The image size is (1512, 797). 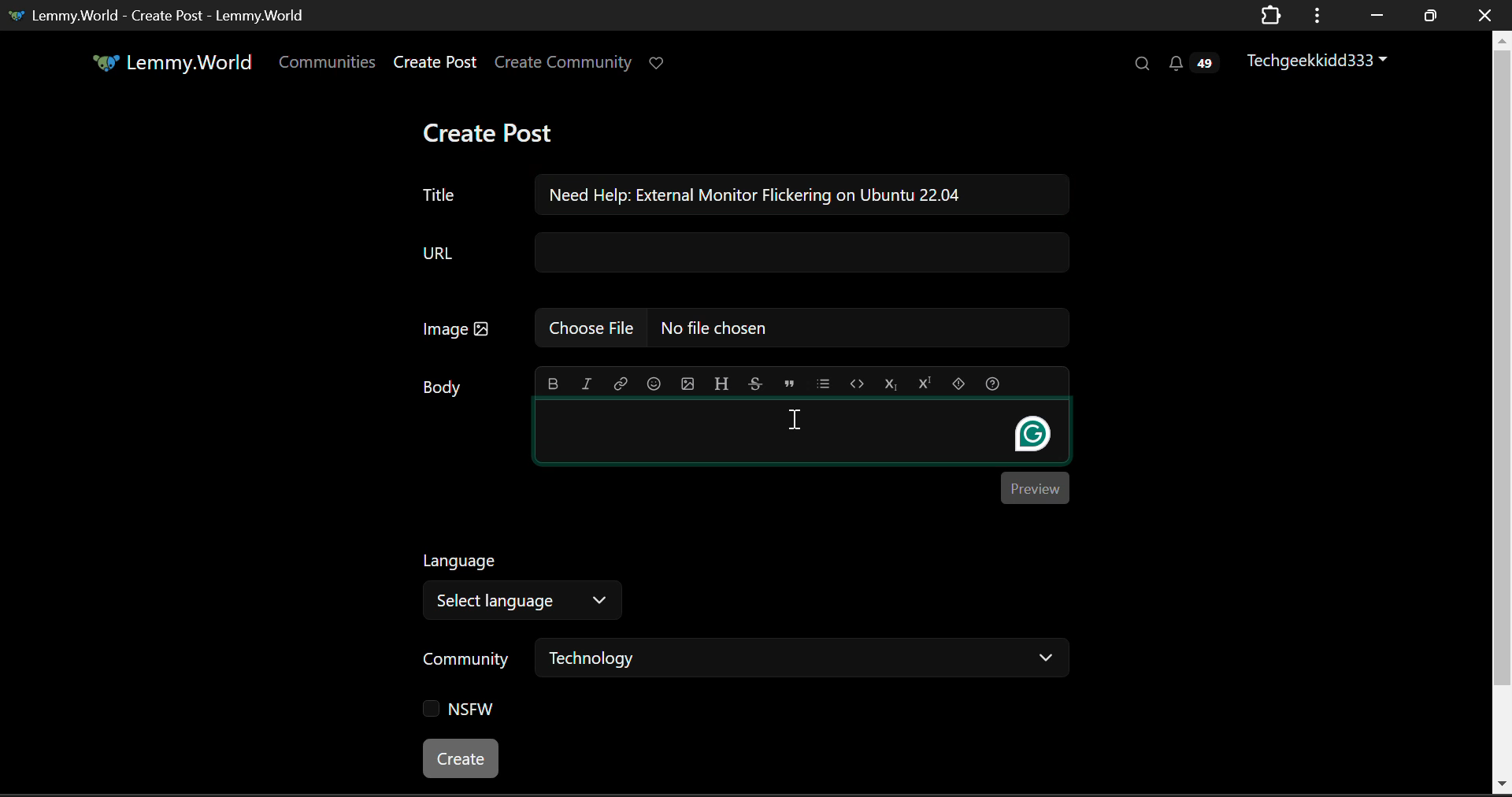 I want to click on Italic, so click(x=585, y=385).